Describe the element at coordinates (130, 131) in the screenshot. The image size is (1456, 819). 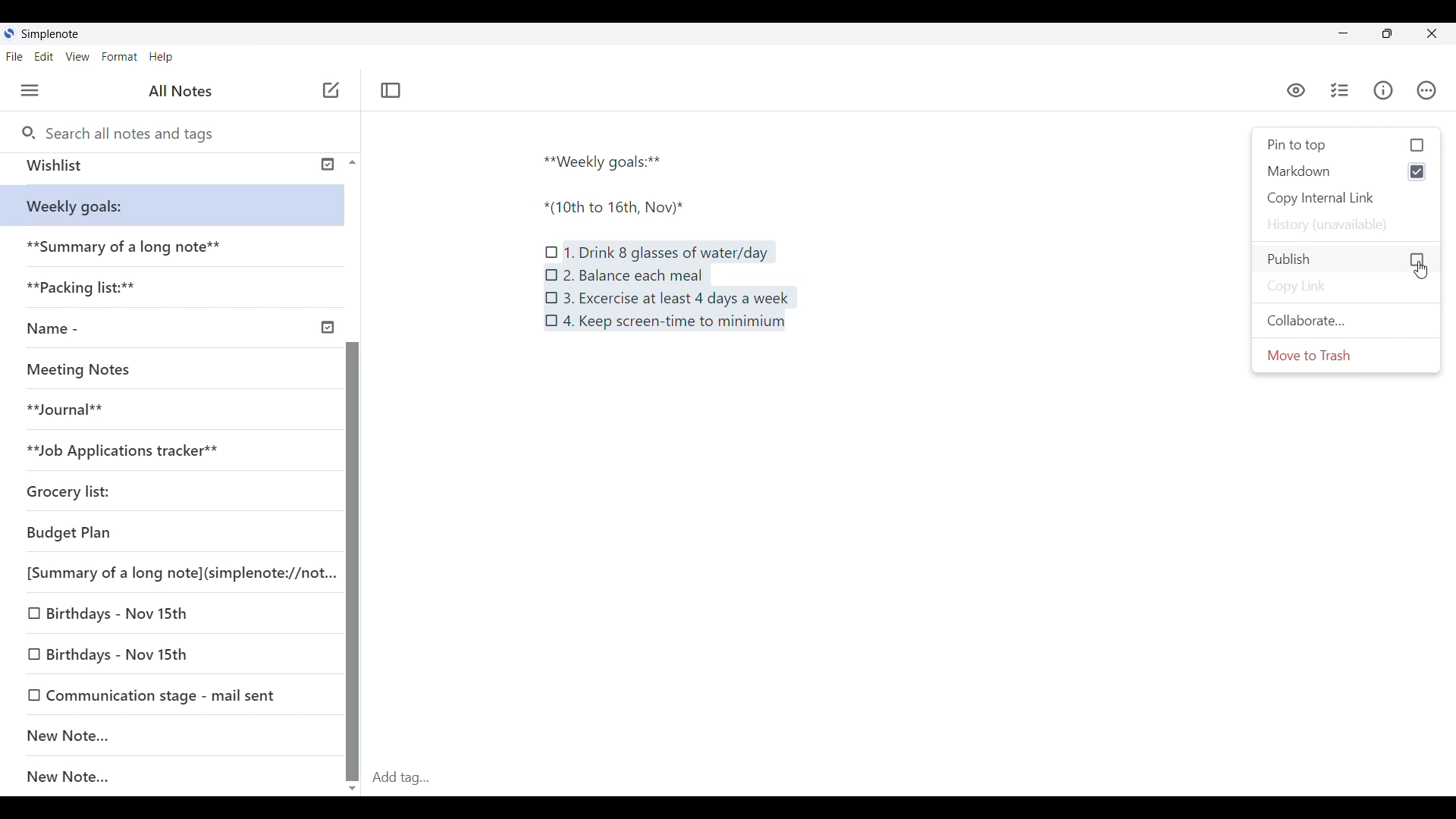
I see `Search all notes and tags` at that location.